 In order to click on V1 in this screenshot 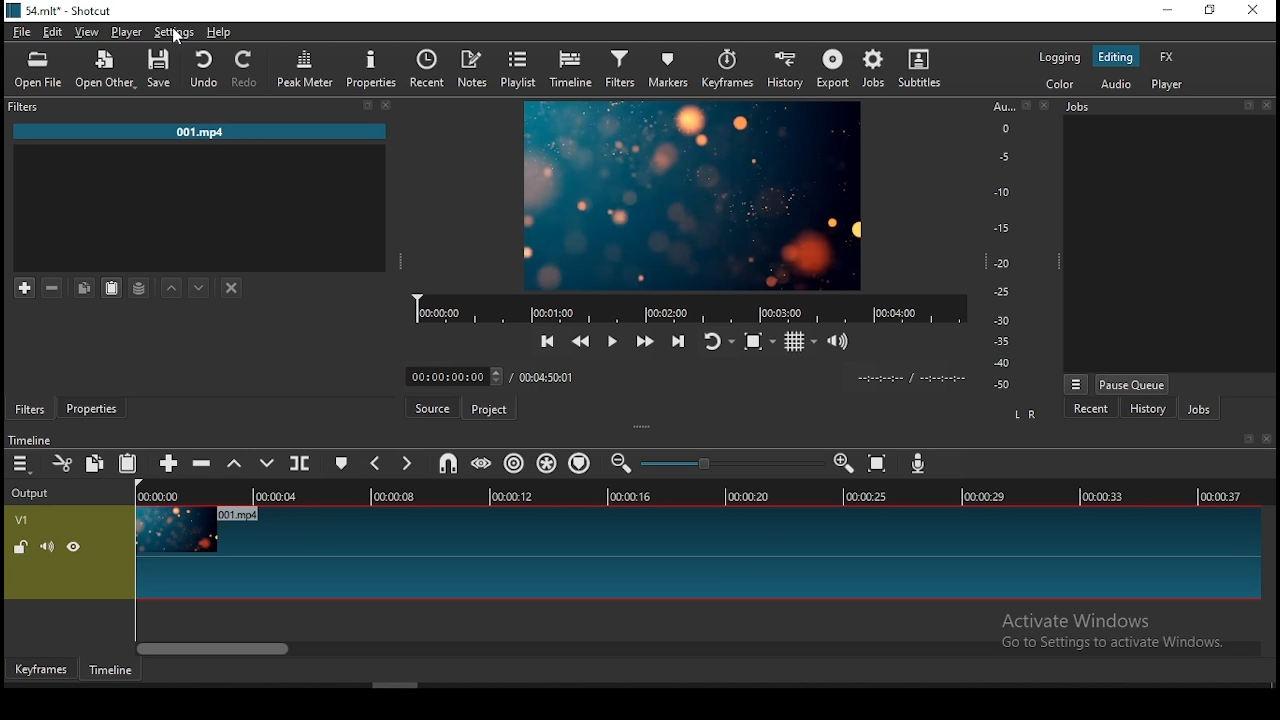, I will do `click(20, 520)`.